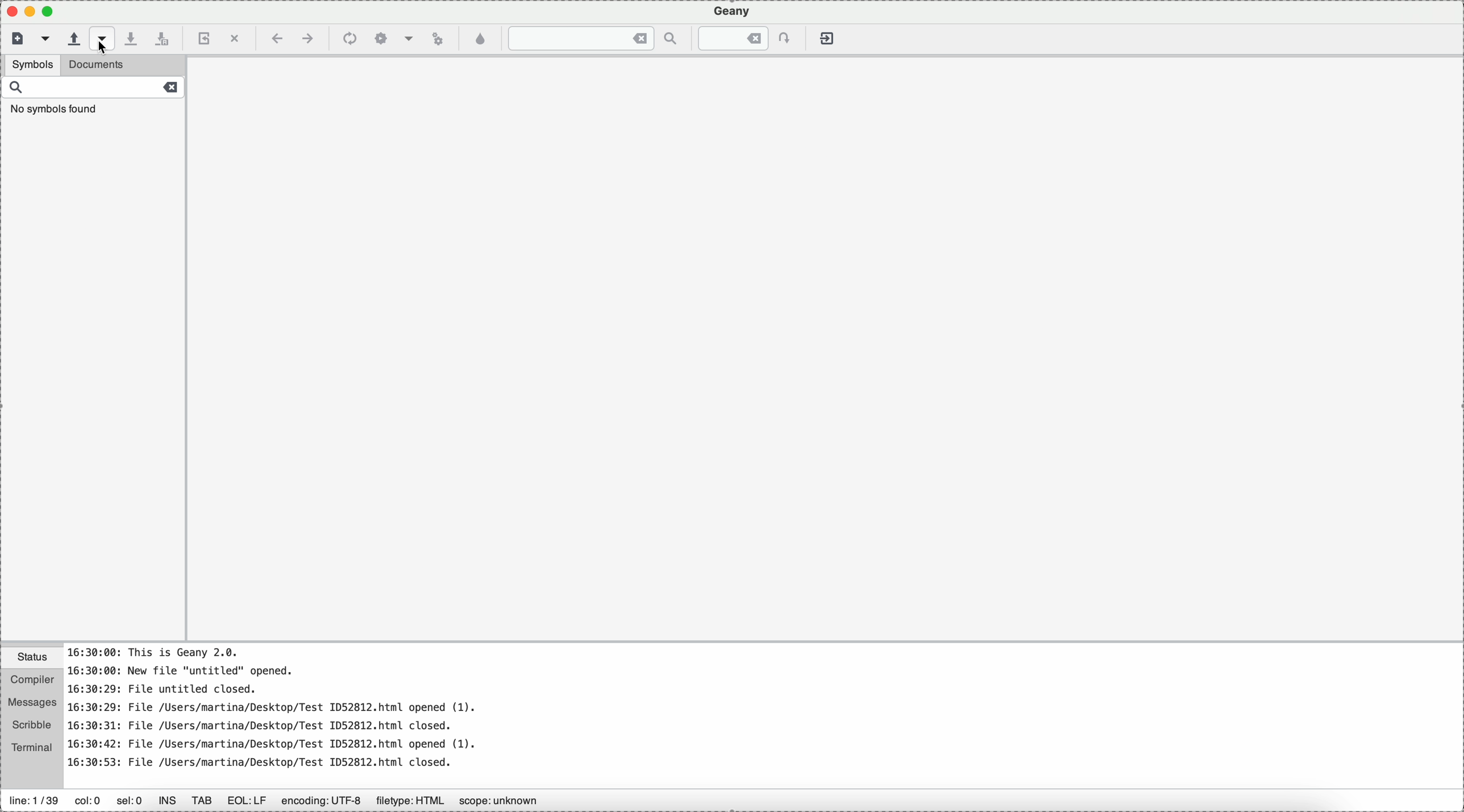 This screenshot has height=812, width=1464. Describe the element at coordinates (33, 704) in the screenshot. I see `messages` at that location.